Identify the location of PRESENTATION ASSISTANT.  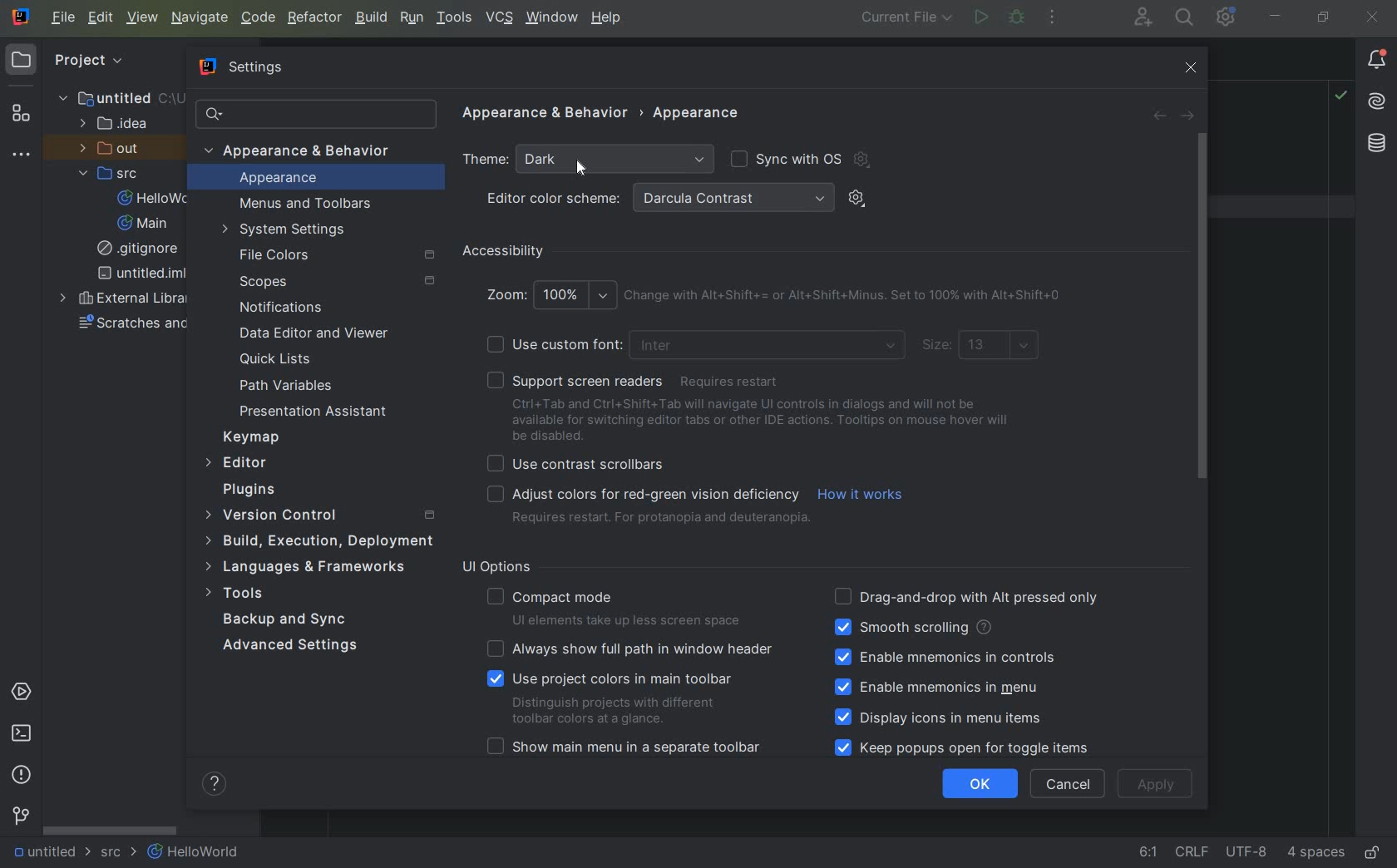
(319, 412).